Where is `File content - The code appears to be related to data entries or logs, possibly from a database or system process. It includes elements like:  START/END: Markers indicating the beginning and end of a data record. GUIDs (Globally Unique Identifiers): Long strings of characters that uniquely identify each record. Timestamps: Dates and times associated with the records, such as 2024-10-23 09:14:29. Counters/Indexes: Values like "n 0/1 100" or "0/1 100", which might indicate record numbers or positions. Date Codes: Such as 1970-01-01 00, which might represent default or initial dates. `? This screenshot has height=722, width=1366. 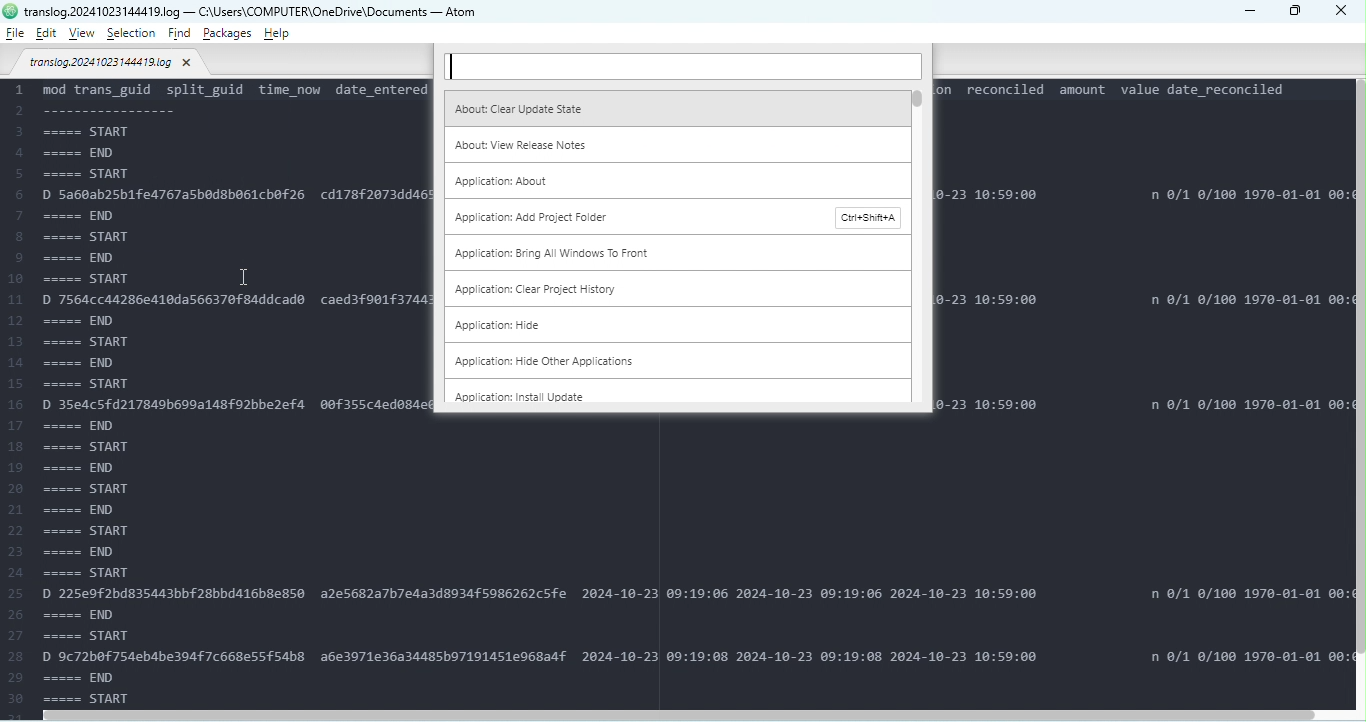
File content - The code appears to be related to data entries or logs, possibly from a database or system process. It includes elements like:  START/END: Markers indicating the beginning and end of a data record. GUIDs (Globally Unique Identifiers): Long strings of characters that uniquely identify each record. Timestamps: Dates and times associated with the records, such as 2024-10-23 09:14:29. Counters/Indexes: Values like "n 0/1 100" or "0/1 100", which might indicate record numbers or positions. Date Codes: Such as 1970-01-01 00, which might represent default or initial dates.  is located at coordinates (1141, 247).